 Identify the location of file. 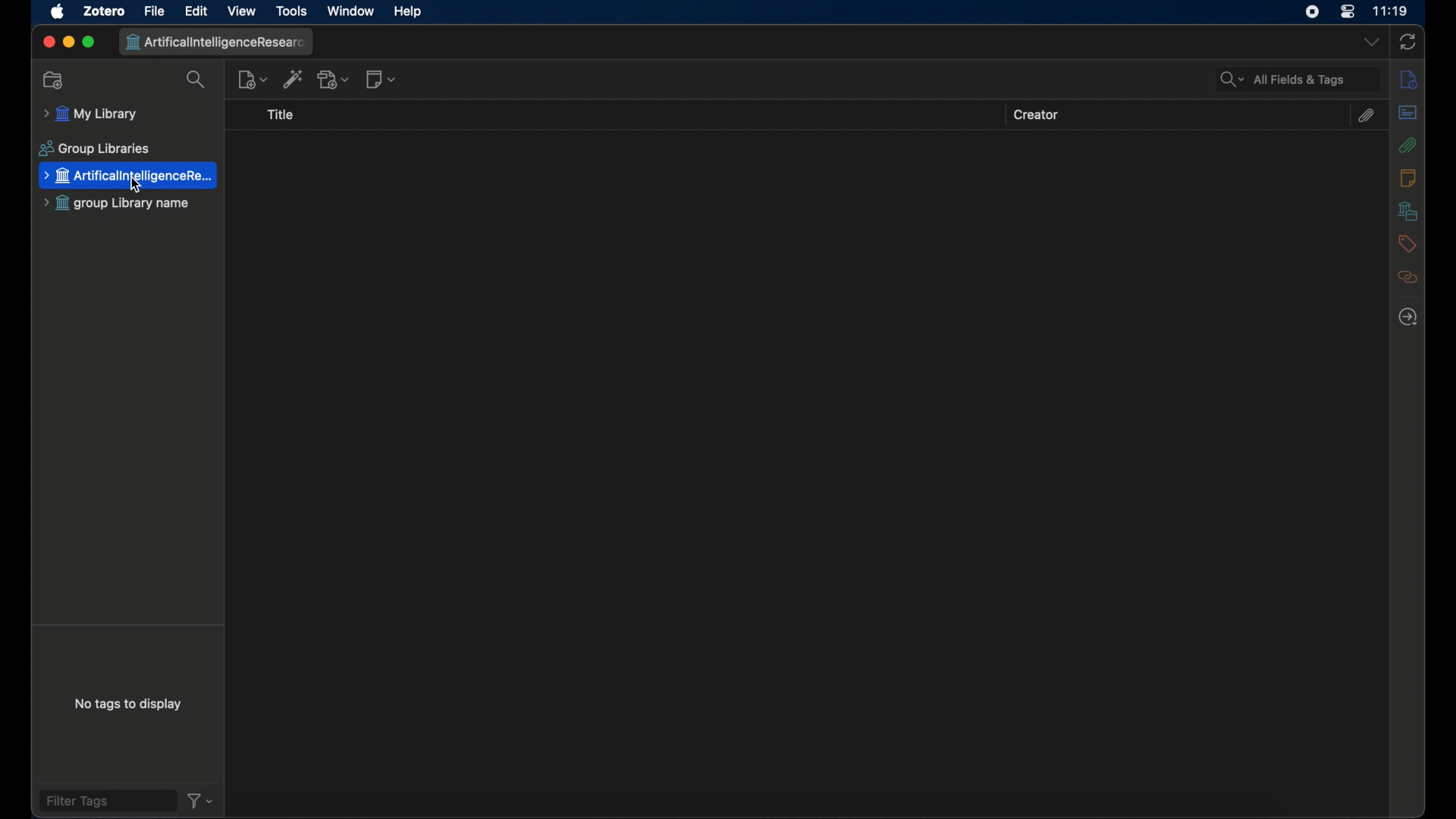
(155, 11).